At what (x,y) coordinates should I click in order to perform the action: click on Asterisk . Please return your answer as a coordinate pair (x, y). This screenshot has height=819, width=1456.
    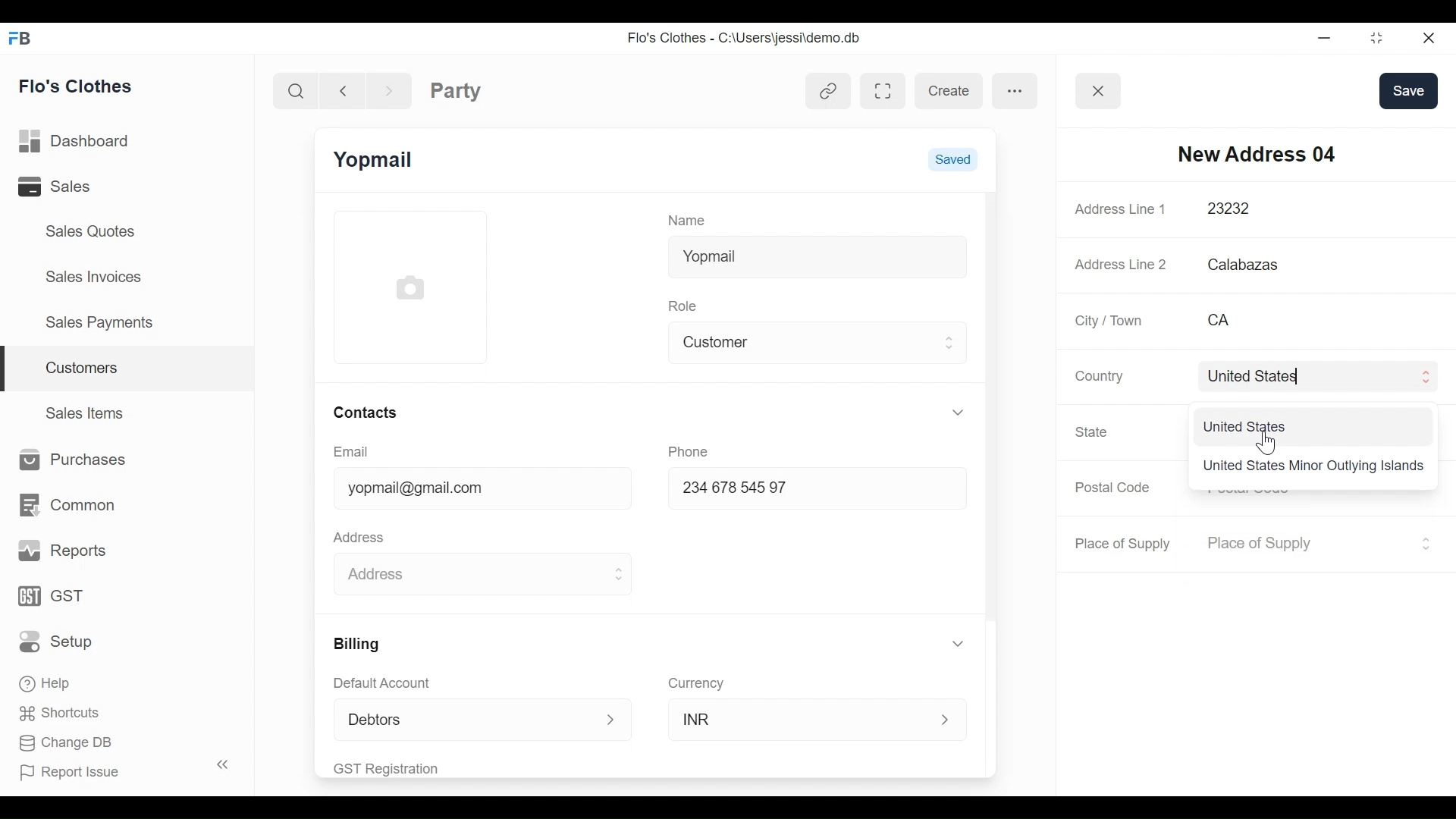
    Looking at the image, I should click on (1427, 319).